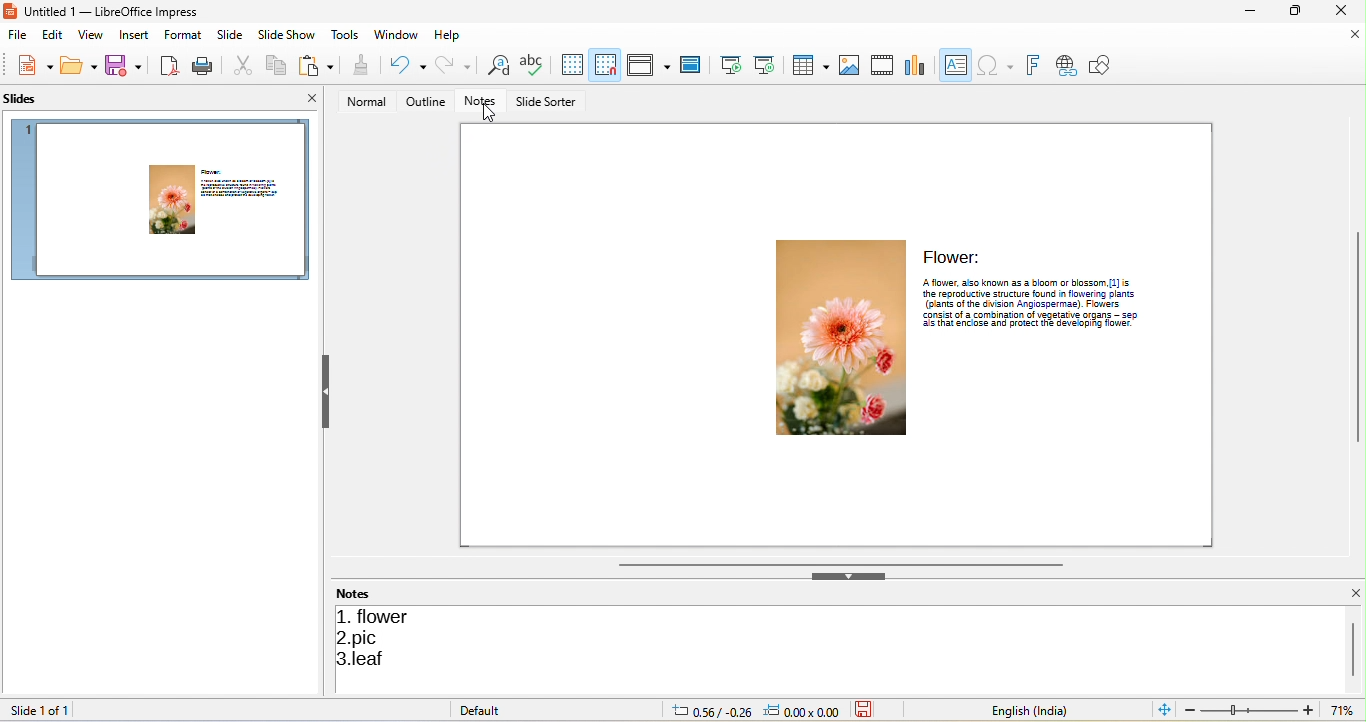  Describe the element at coordinates (1346, 11) in the screenshot. I see `close` at that location.